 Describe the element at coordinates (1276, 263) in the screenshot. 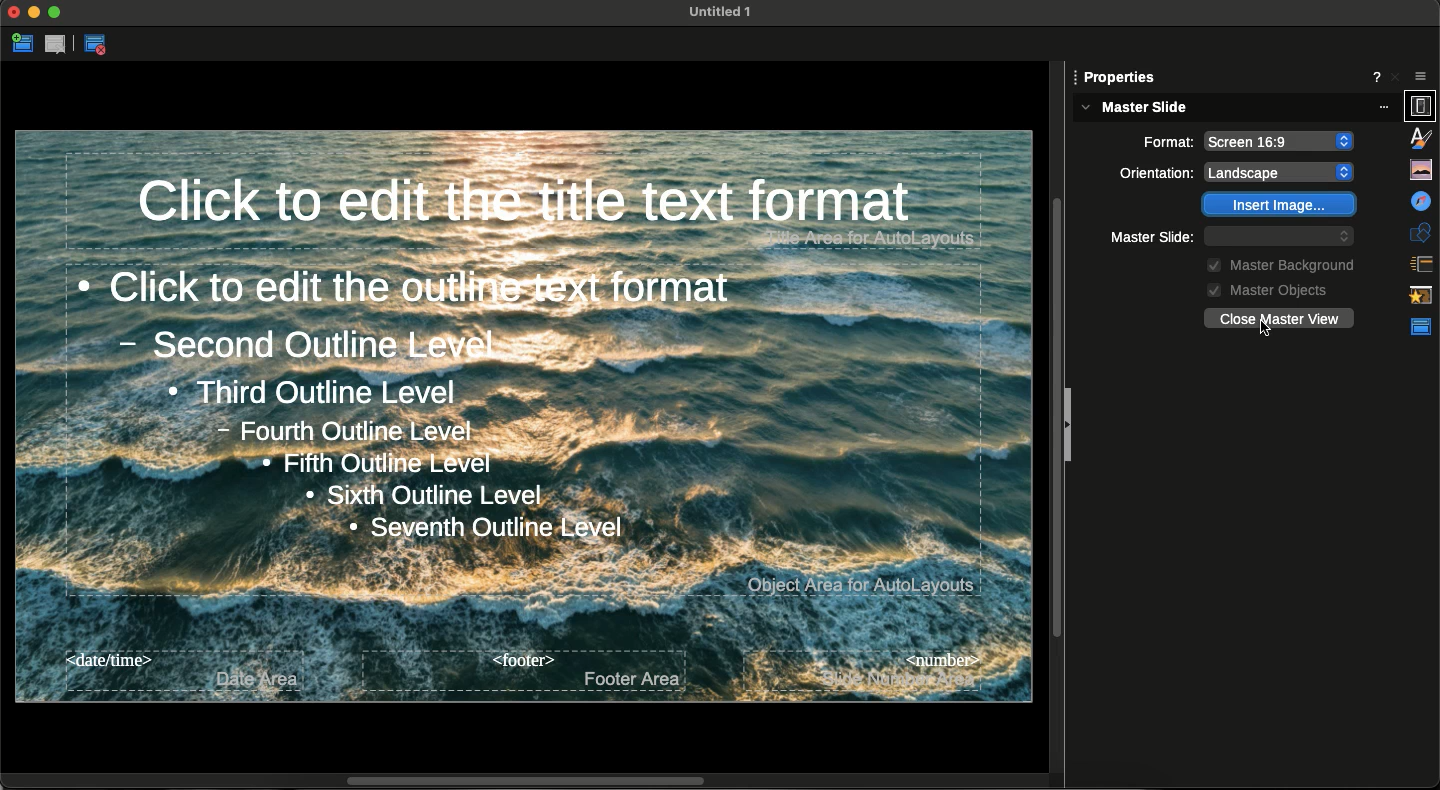

I see `Master background` at that location.